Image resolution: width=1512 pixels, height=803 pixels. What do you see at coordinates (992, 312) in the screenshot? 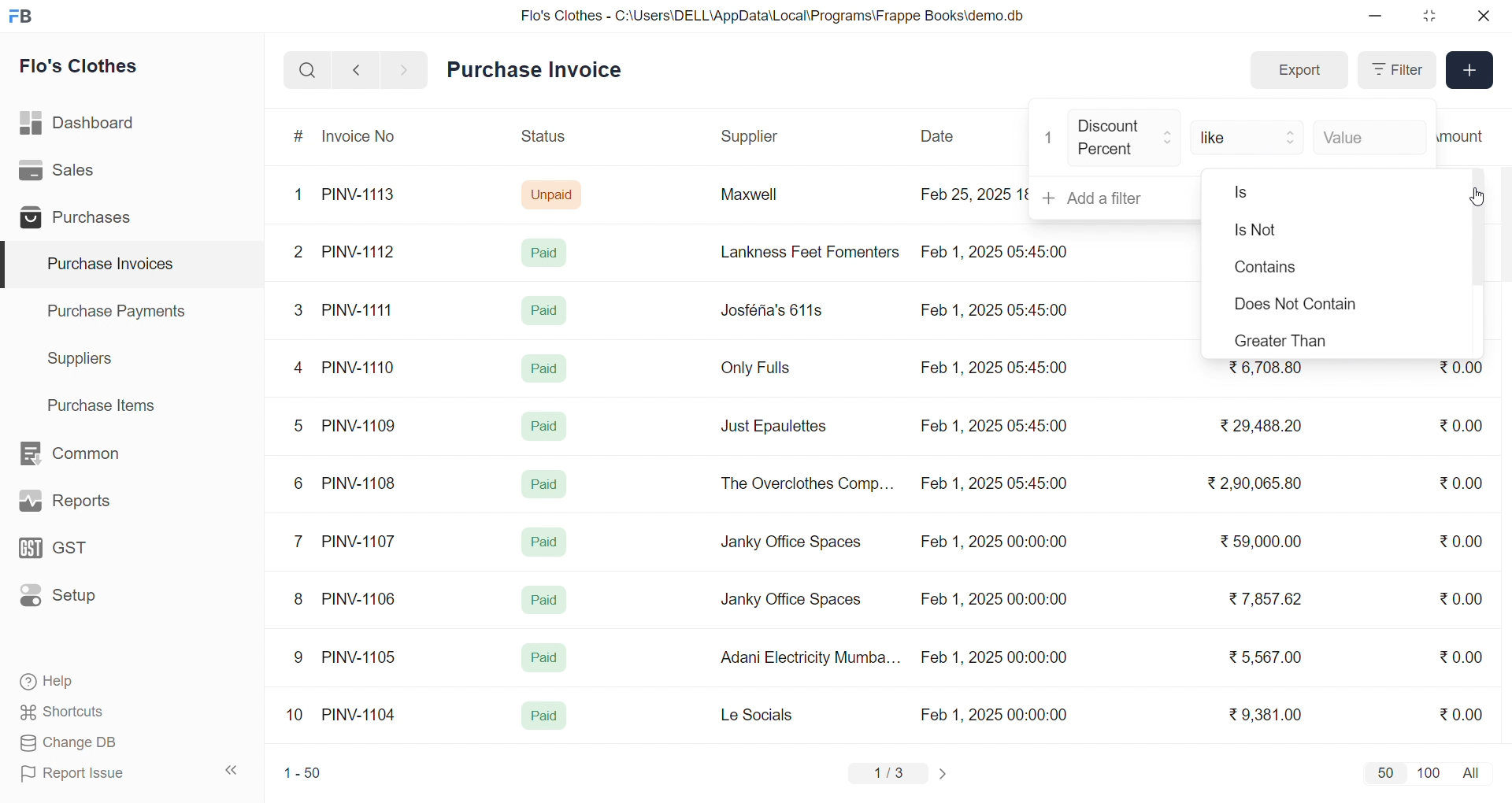
I see `Feb 1, 2025 05:45:00` at bounding box center [992, 312].